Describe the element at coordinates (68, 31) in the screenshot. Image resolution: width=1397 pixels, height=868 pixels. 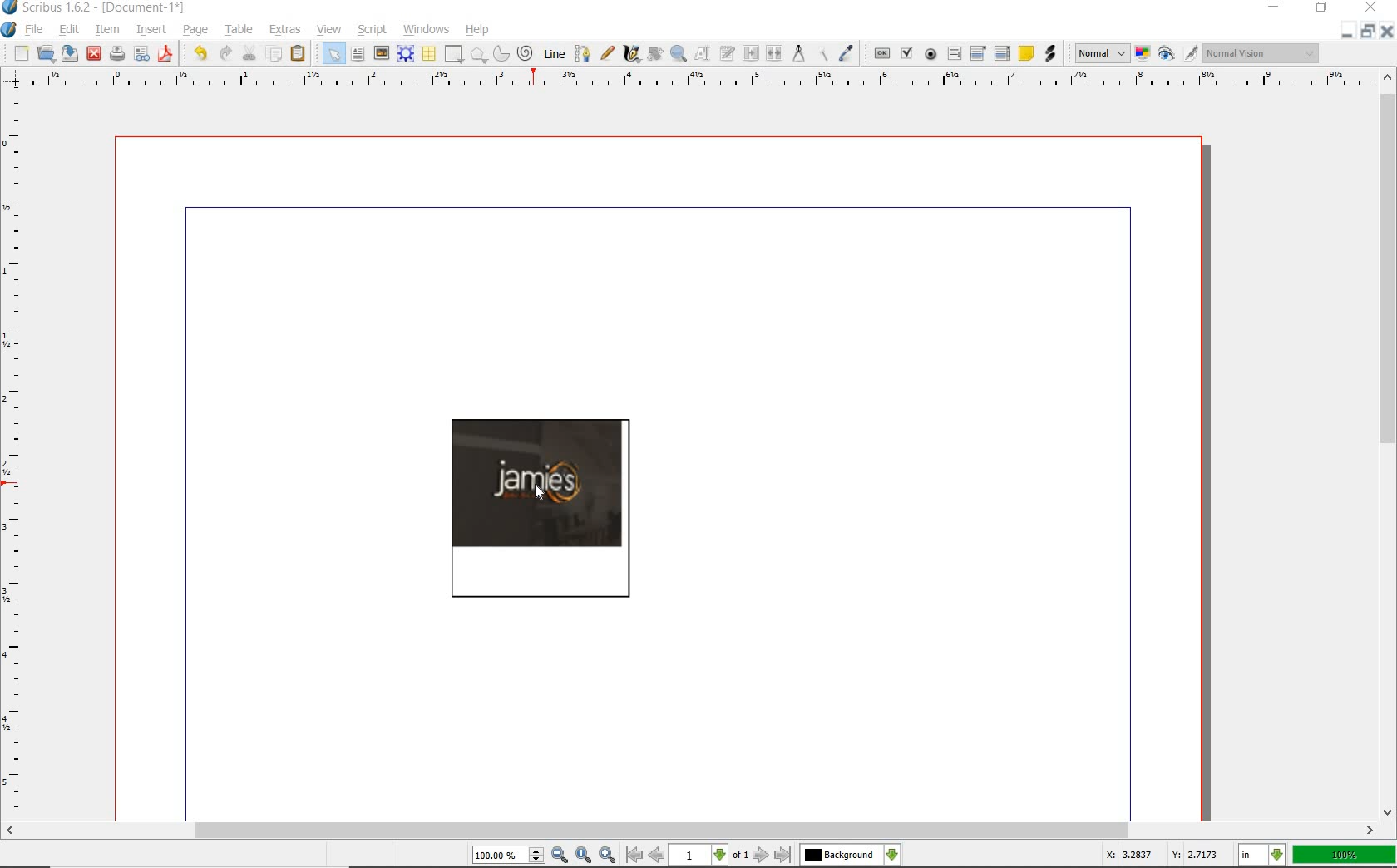
I see `edit` at that location.